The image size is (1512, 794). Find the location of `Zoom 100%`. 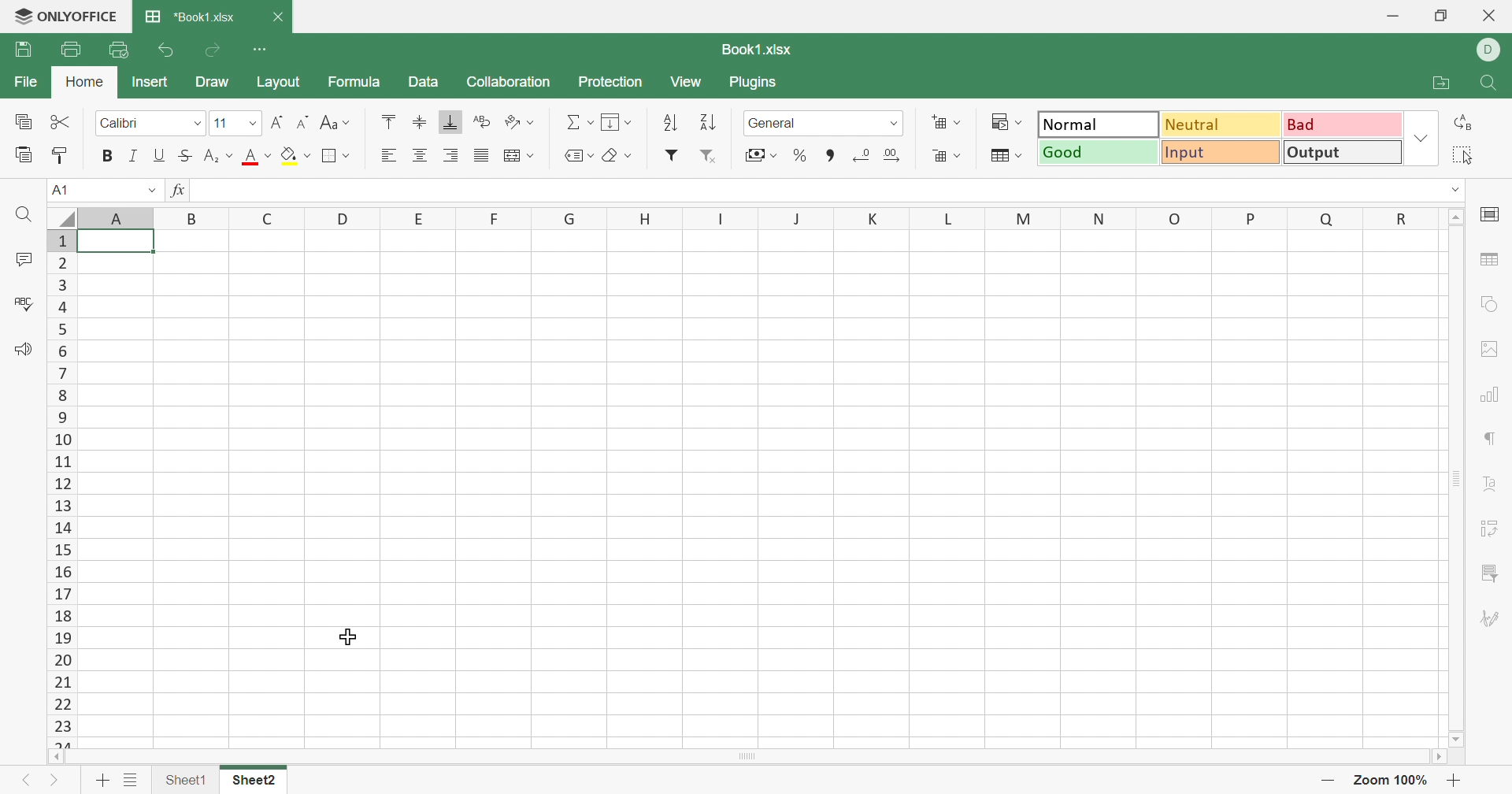

Zoom 100% is located at coordinates (1390, 779).